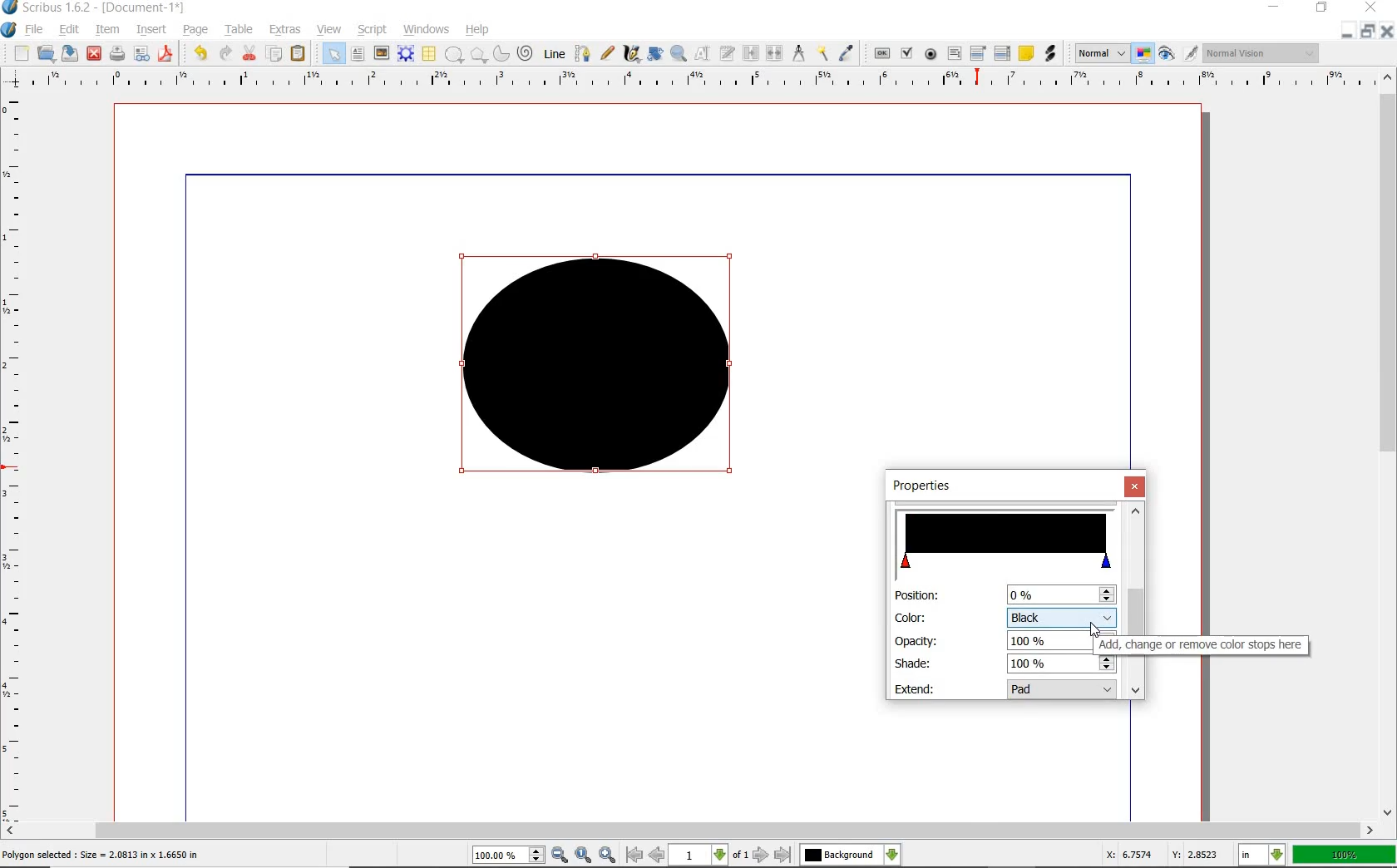 This screenshot has height=868, width=1397. I want to click on PASTE, so click(298, 55).